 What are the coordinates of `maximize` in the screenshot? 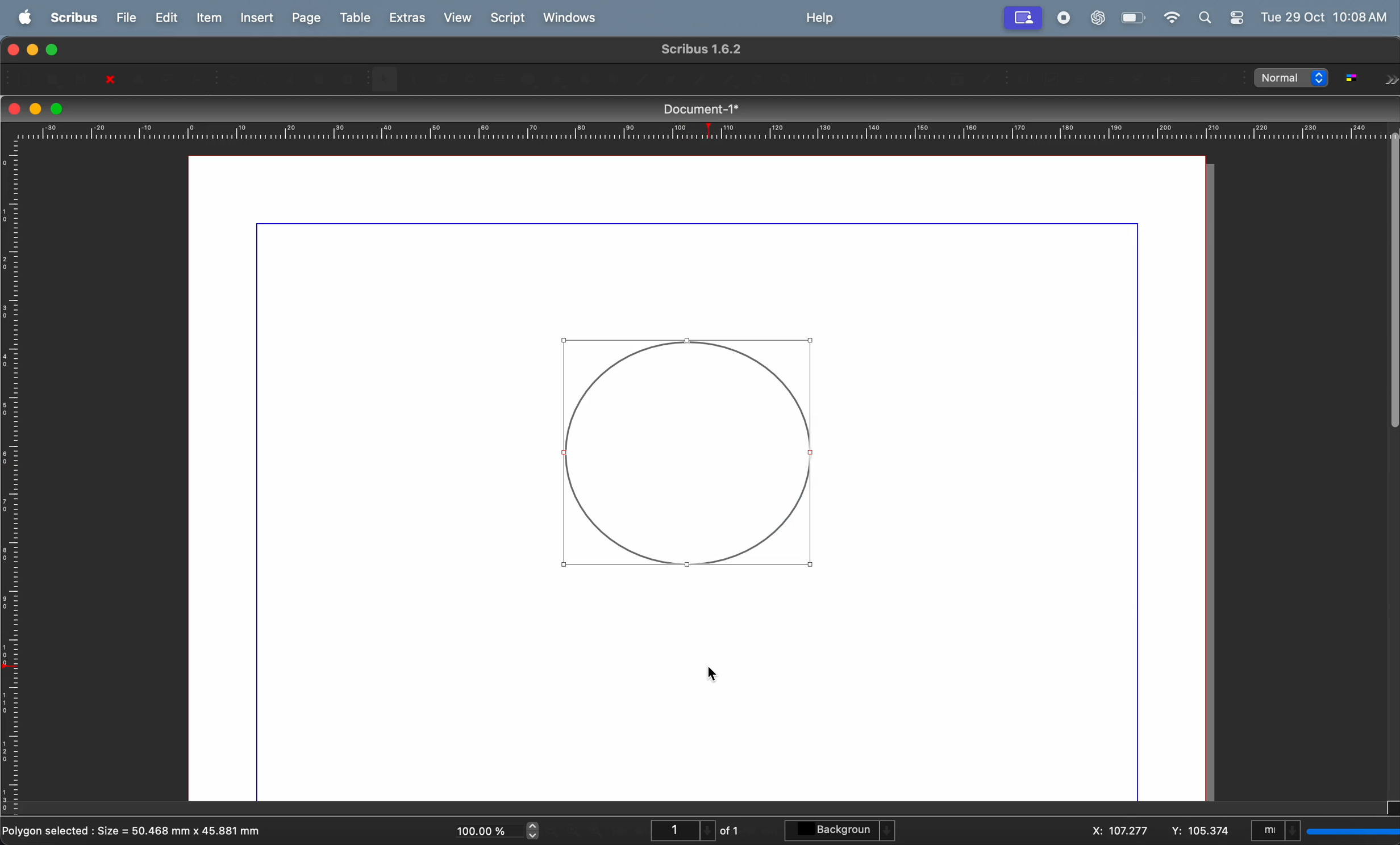 It's located at (56, 50).